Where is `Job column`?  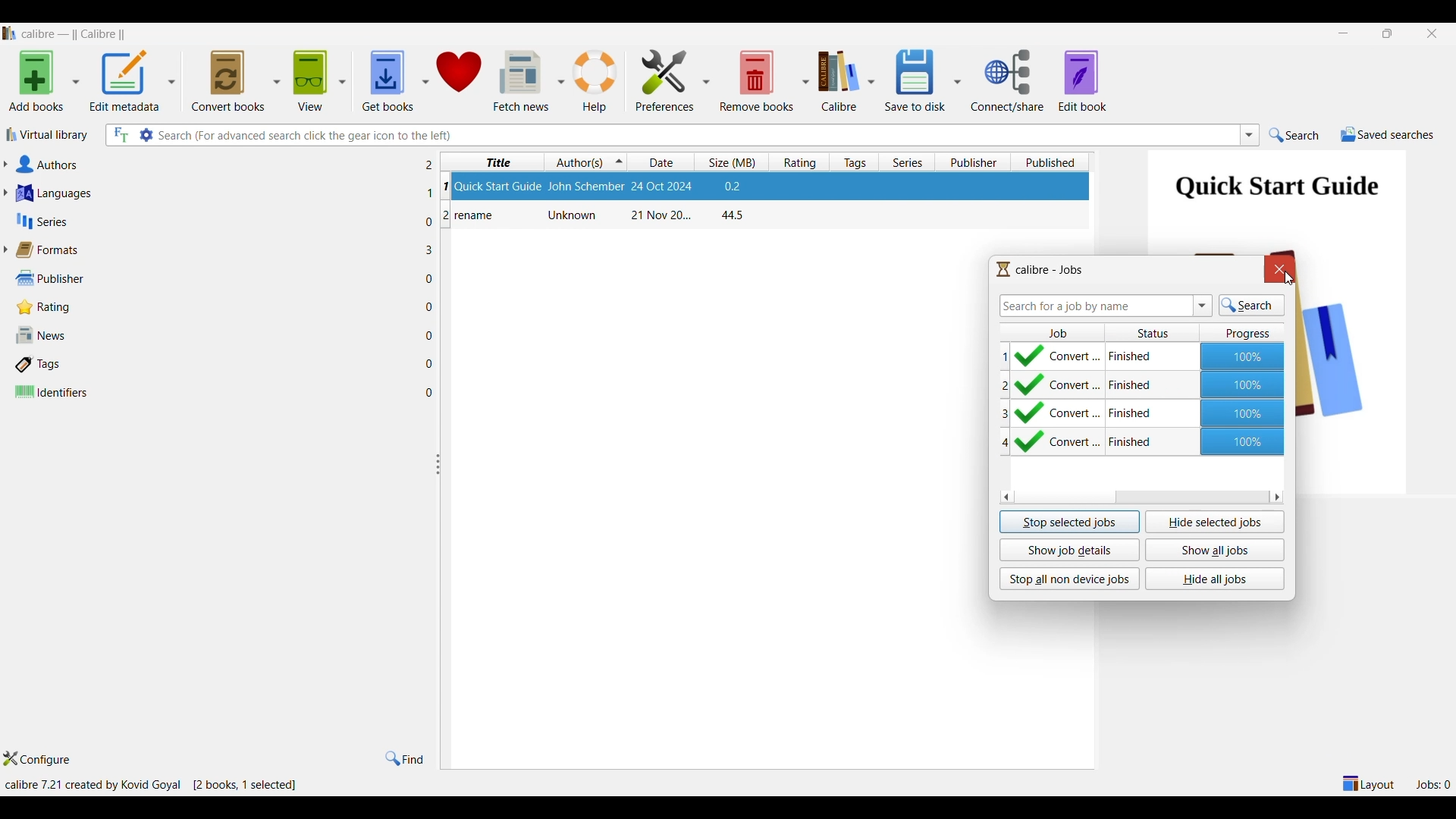
Job column is located at coordinates (1052, 332).